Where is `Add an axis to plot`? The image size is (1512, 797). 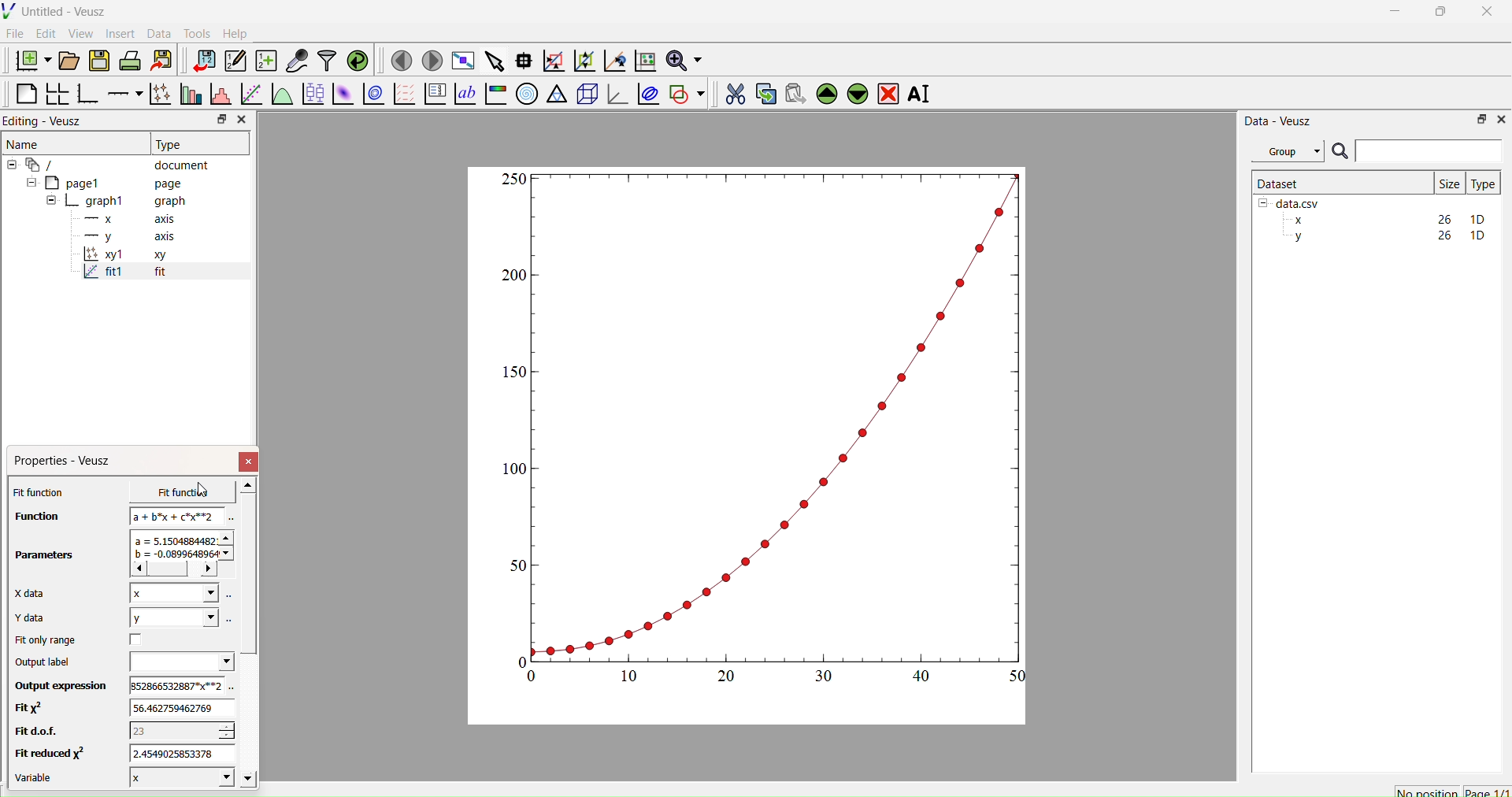 Add an axis to plot is located at coordinates (120, 92).